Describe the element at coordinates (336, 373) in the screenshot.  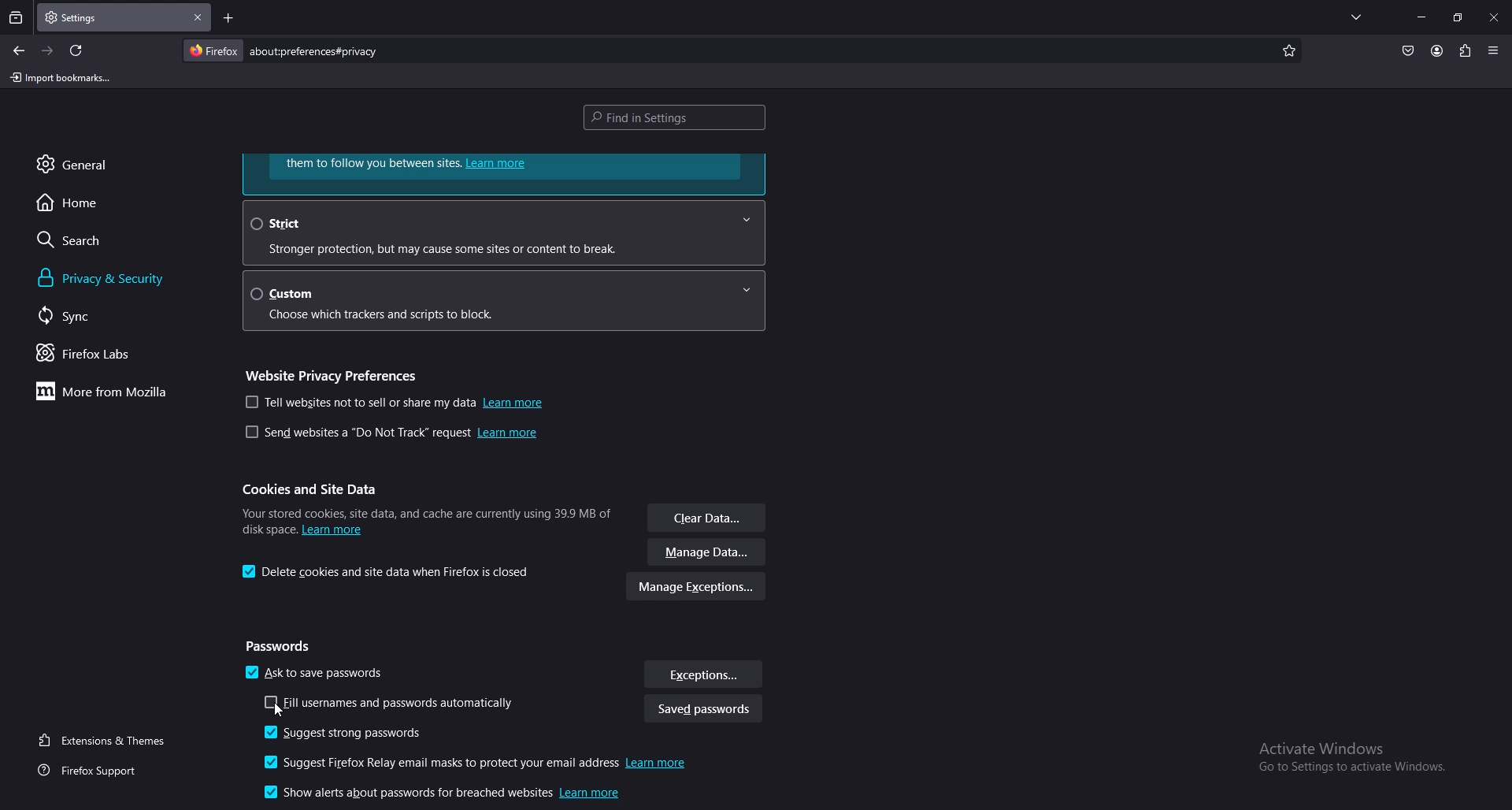
I see `website privacy preference` at that location.